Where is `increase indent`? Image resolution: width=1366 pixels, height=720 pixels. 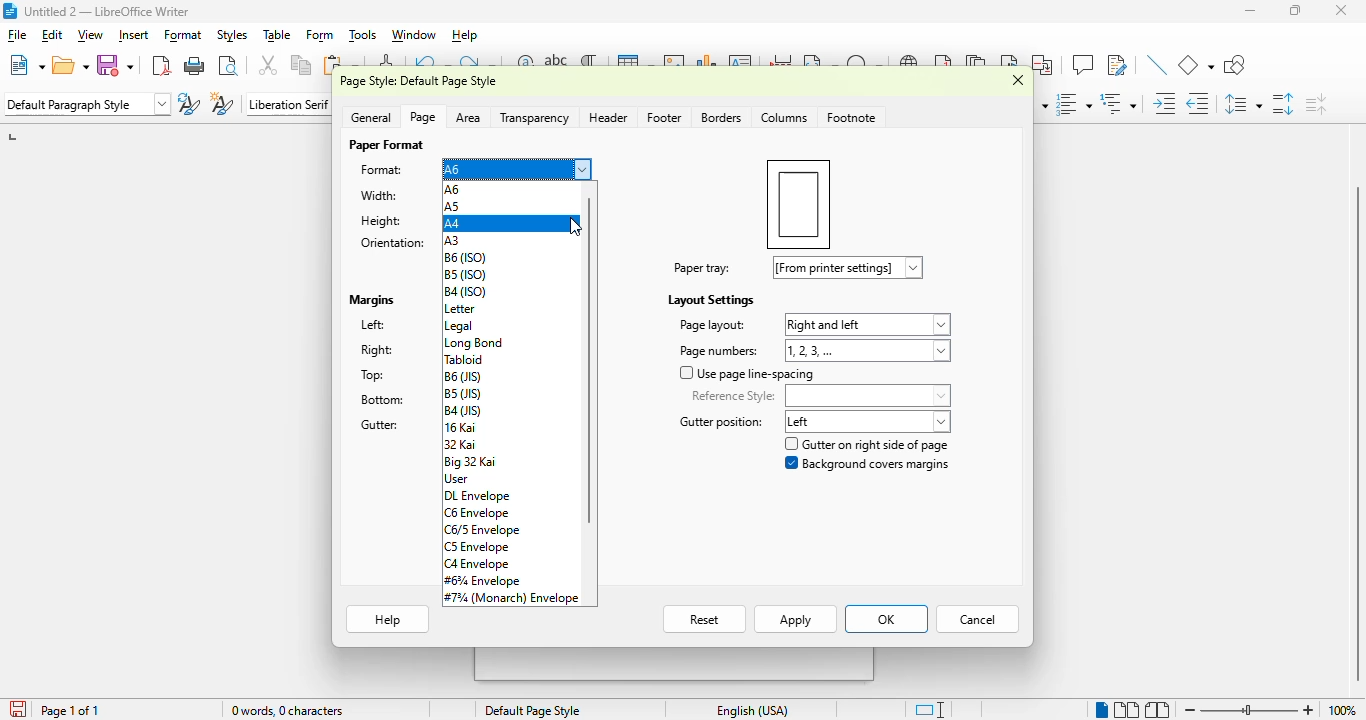 increase indent is located at coordinates (1165, 104).